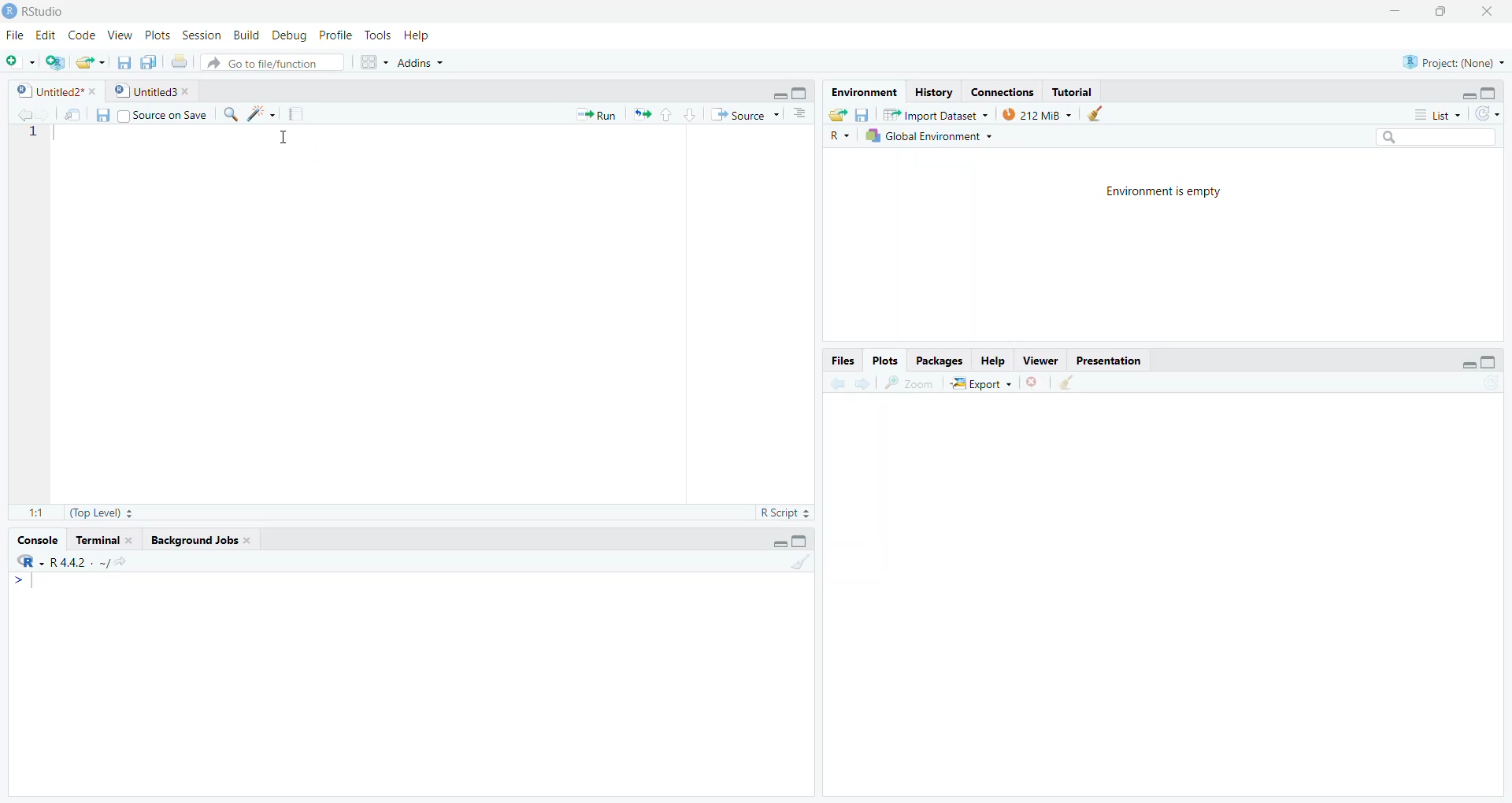  I want to click on packages, so click(935, 361).